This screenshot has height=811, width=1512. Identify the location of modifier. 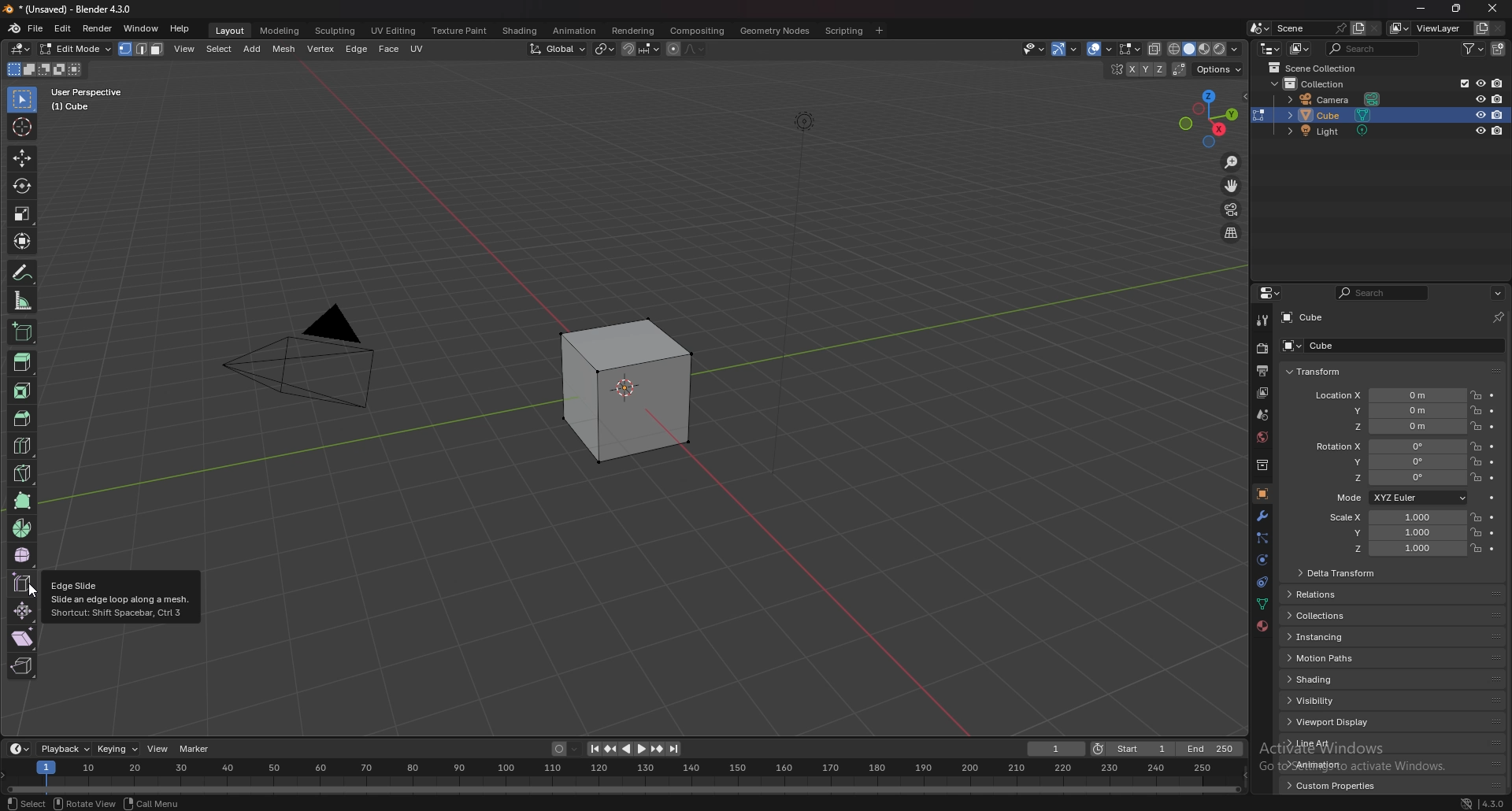
(1264, 515).